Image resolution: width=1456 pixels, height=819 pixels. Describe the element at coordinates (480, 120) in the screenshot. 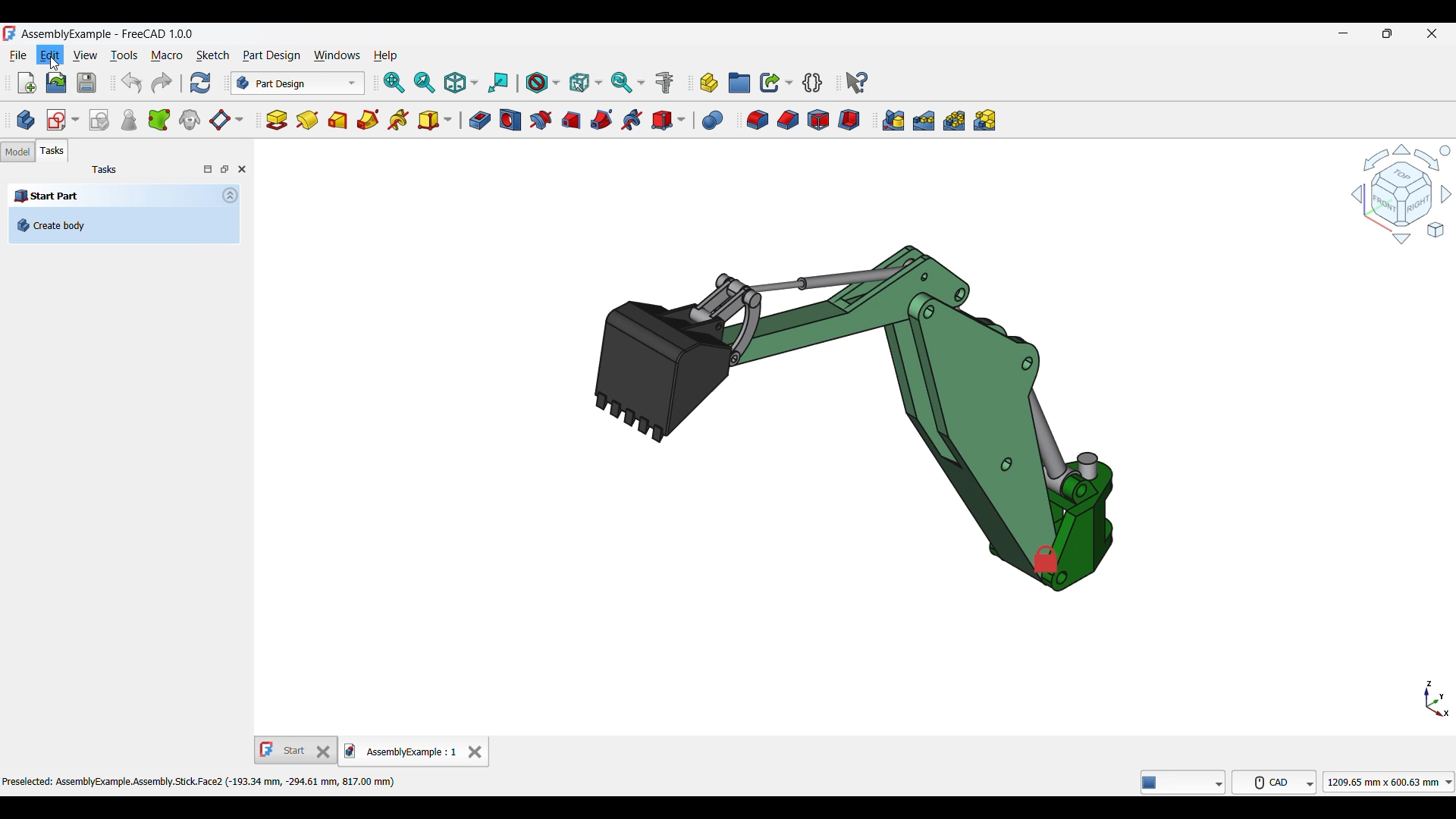

I see `Pocket` at that location.